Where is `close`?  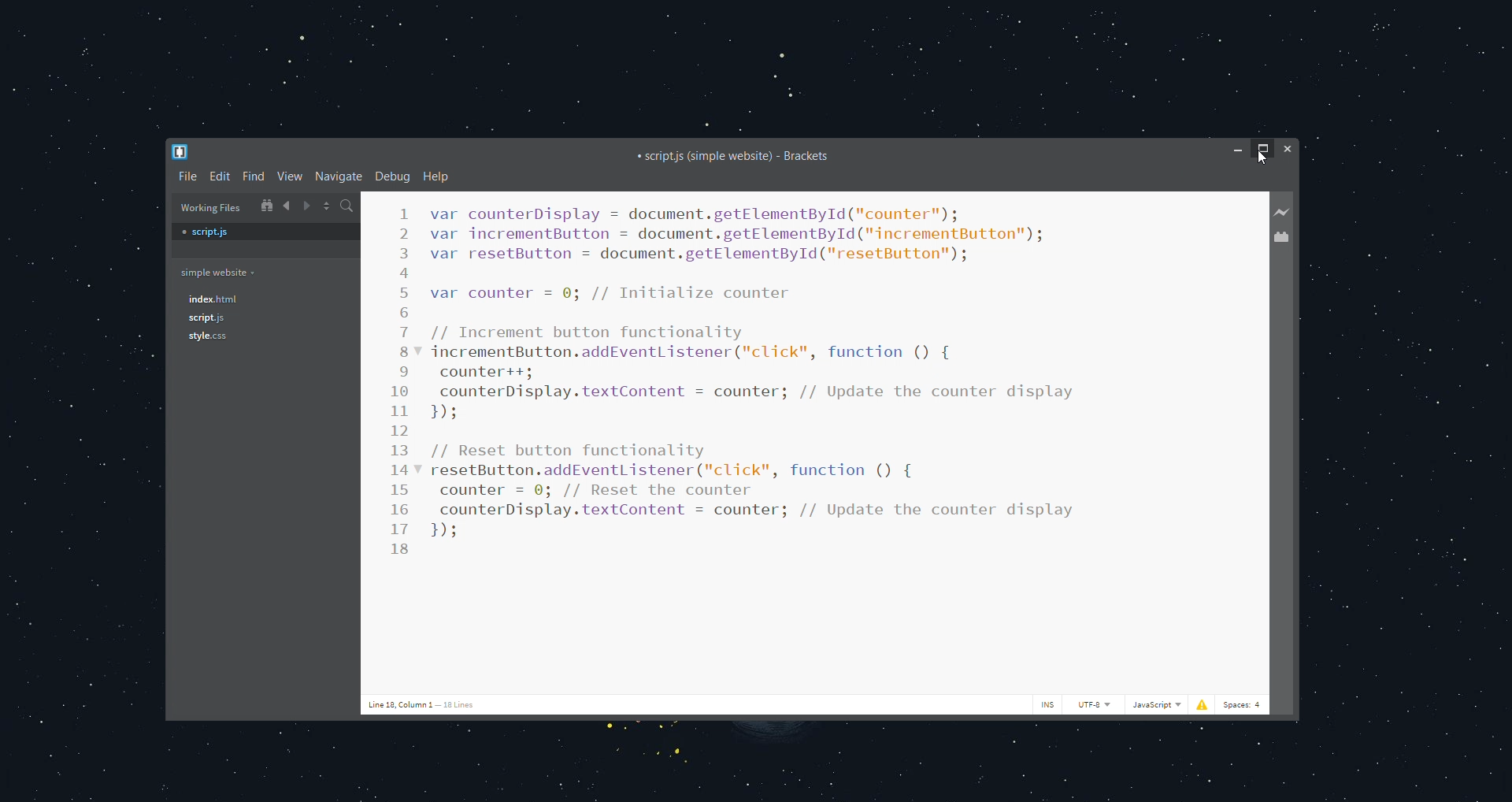 close is located at coordinates (1288, 149).